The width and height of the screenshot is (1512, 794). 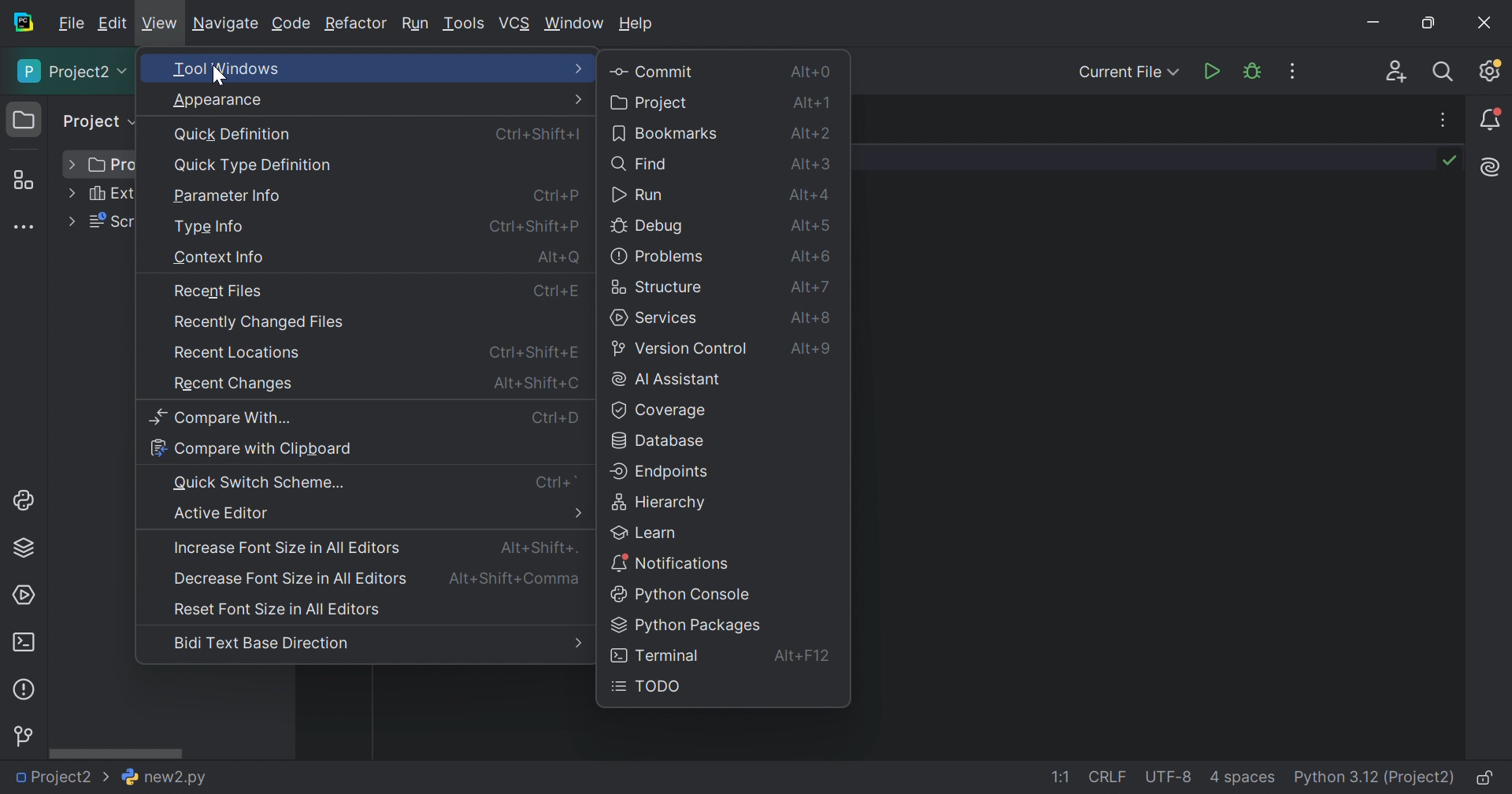 What do you see at coordinates (237, 384) in the screenshot?
I see `Recent changes` at bounding box center [237, 384].